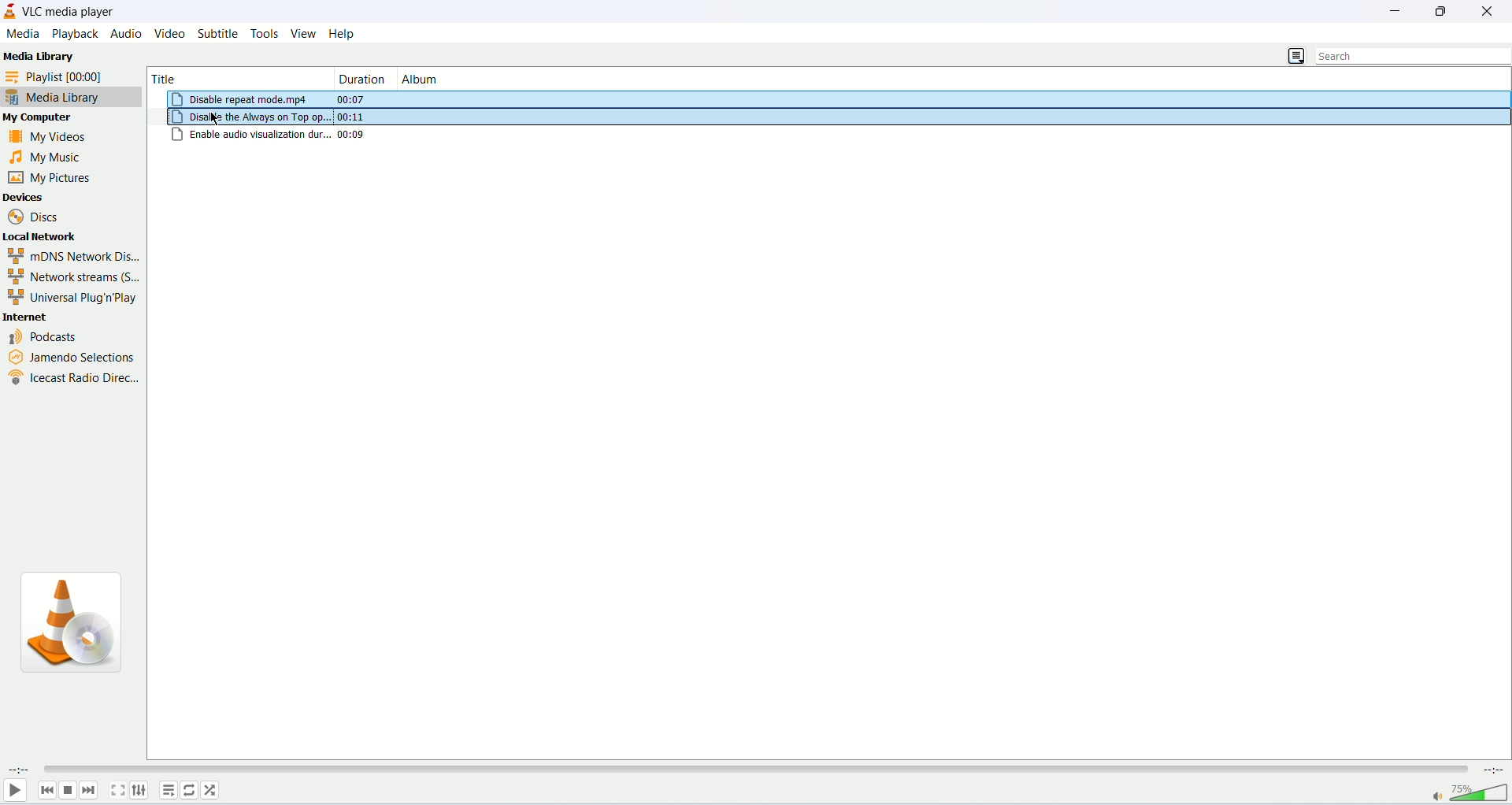 This screenshot has width=1512, height=805. Describe the element at coordinates (1295, 56) in the screenshot. I see `change view` at that location.